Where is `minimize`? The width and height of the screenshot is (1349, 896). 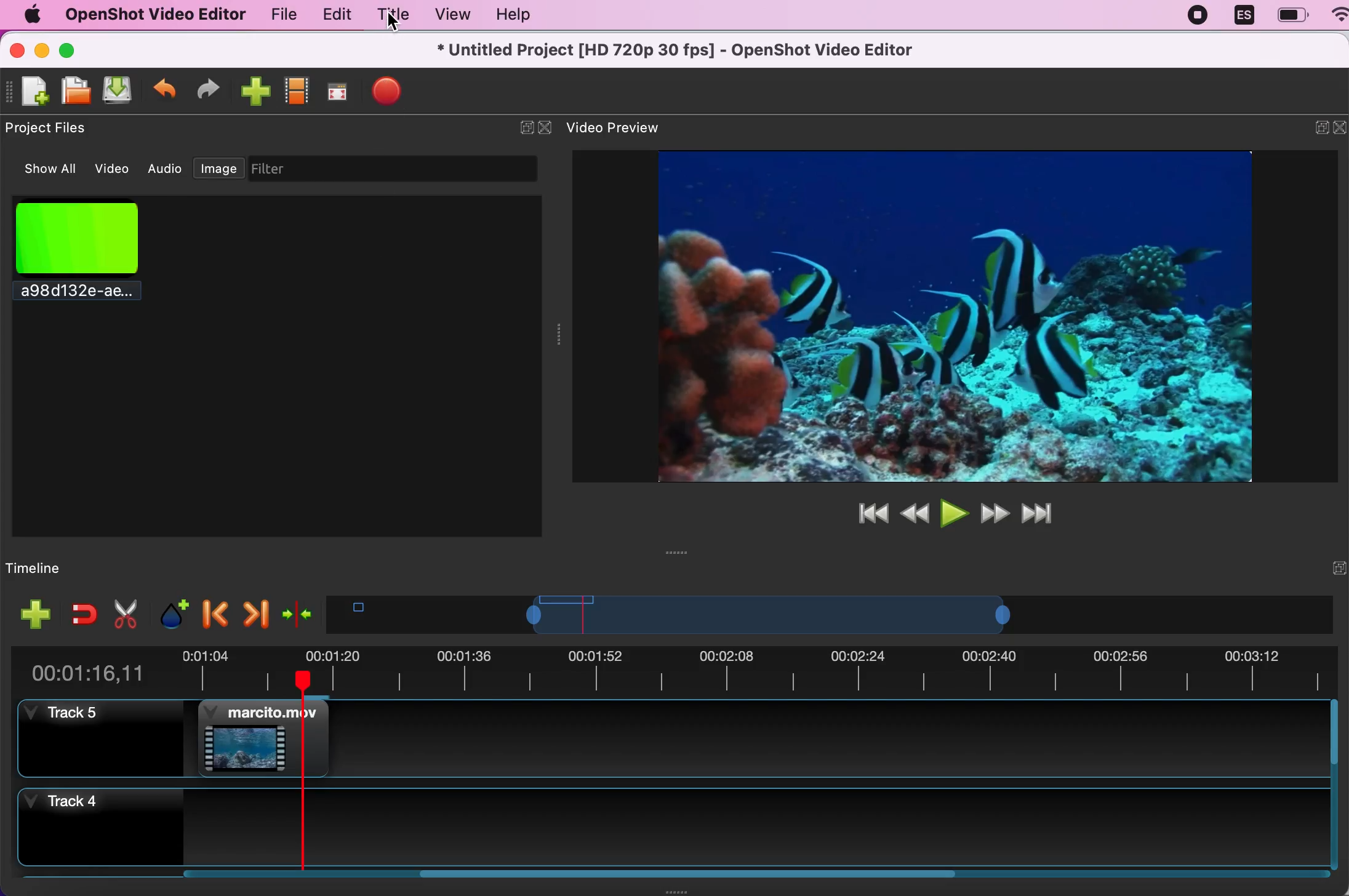 minimize is located at coordinates (42, 49).